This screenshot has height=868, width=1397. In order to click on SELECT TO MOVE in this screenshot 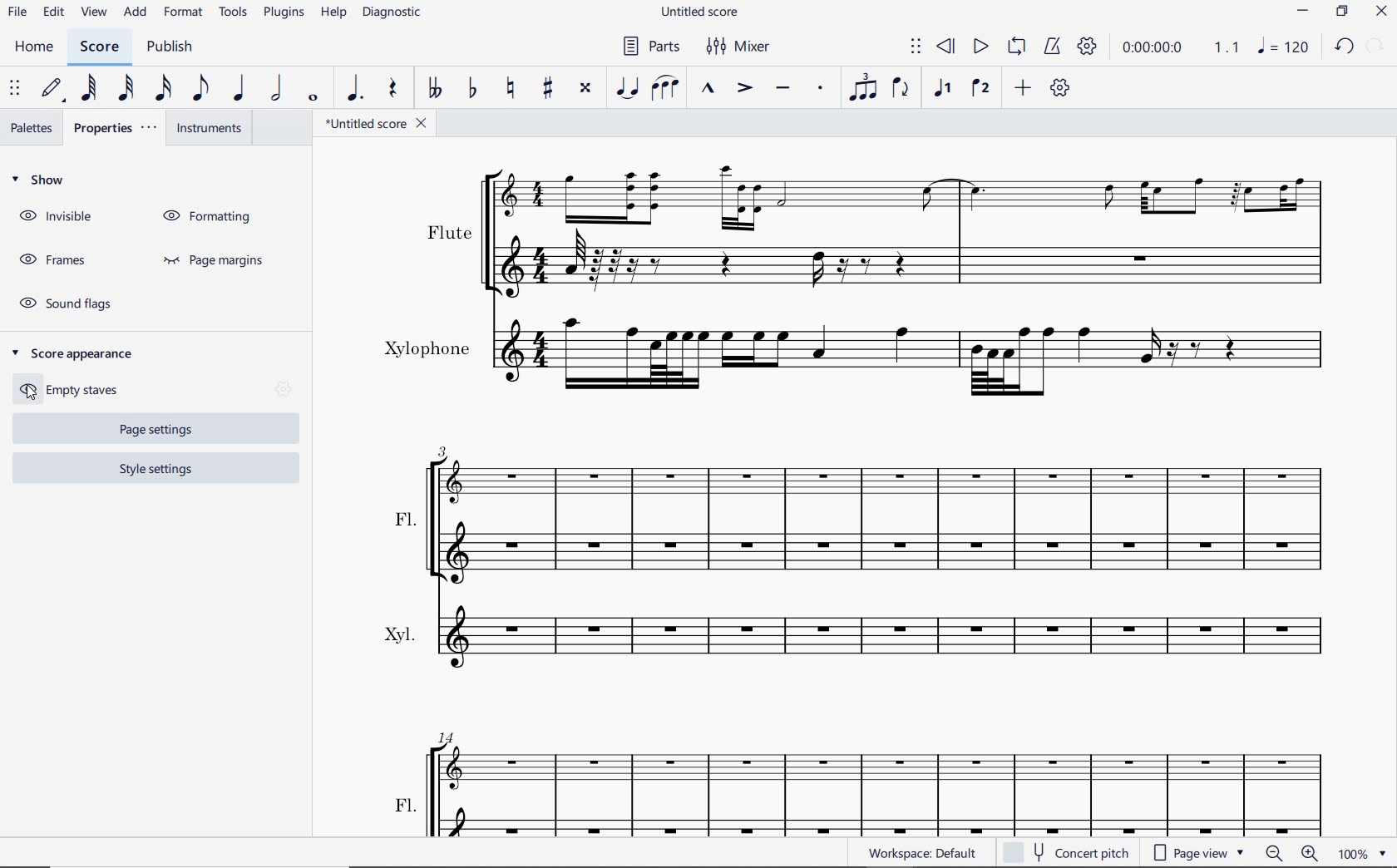, I will do `click(15, 90)`.